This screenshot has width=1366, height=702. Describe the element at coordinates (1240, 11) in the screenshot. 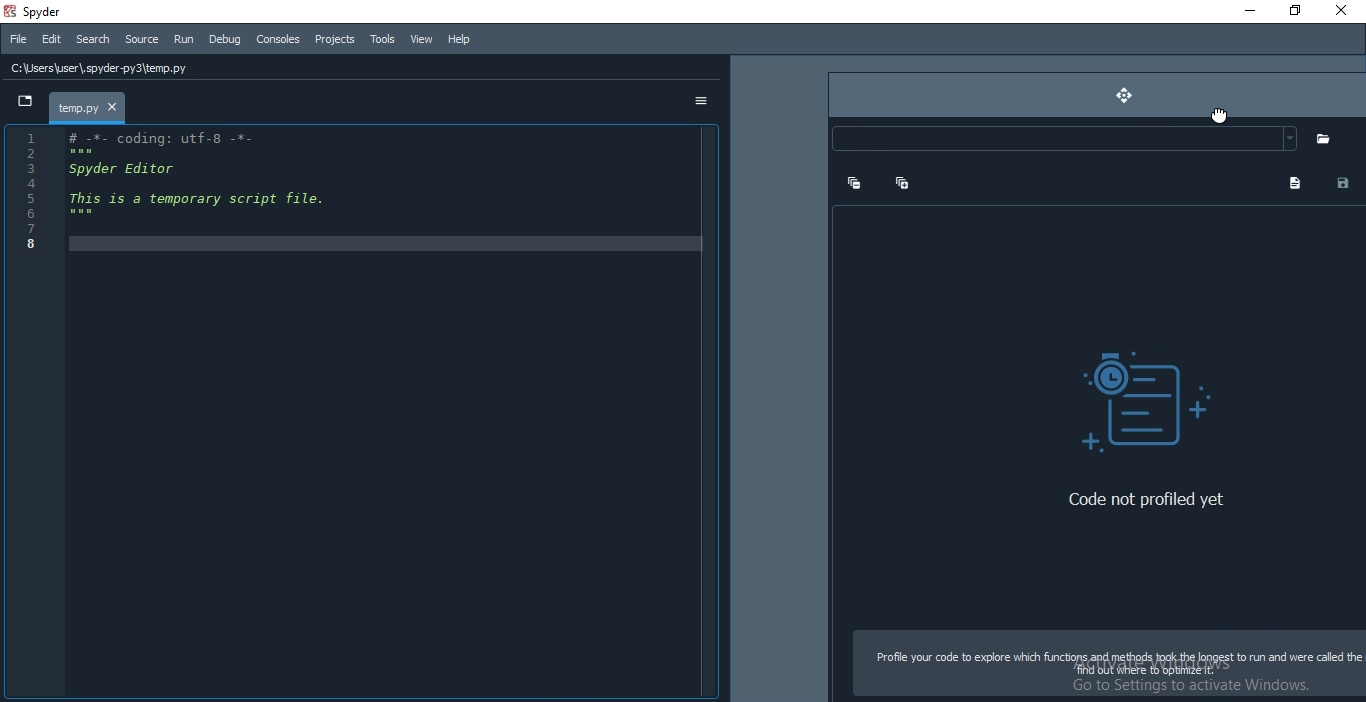

I see `Minimise` at that location.